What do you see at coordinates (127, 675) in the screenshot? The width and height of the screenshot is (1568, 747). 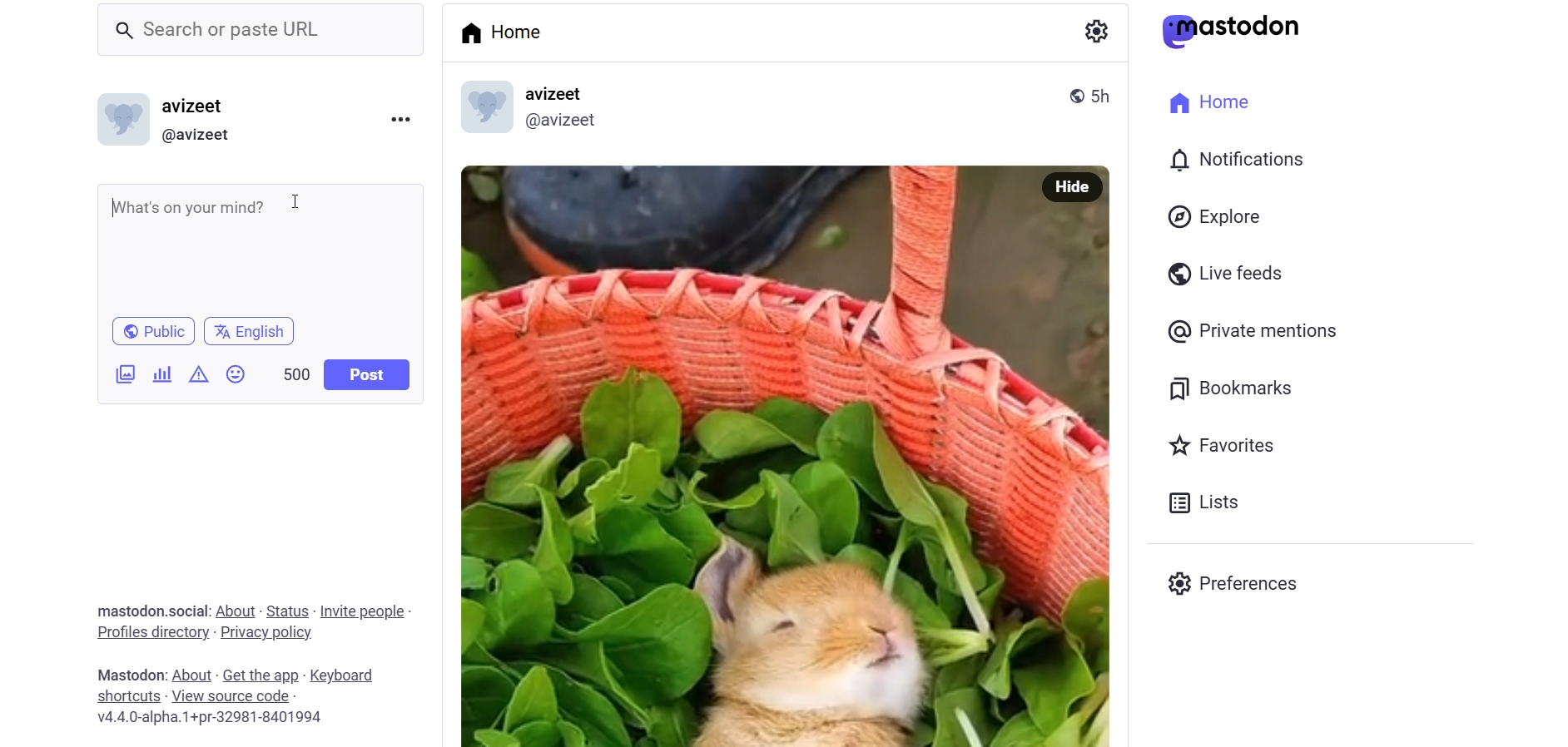 I see `text` at bounding box center [127, 675].